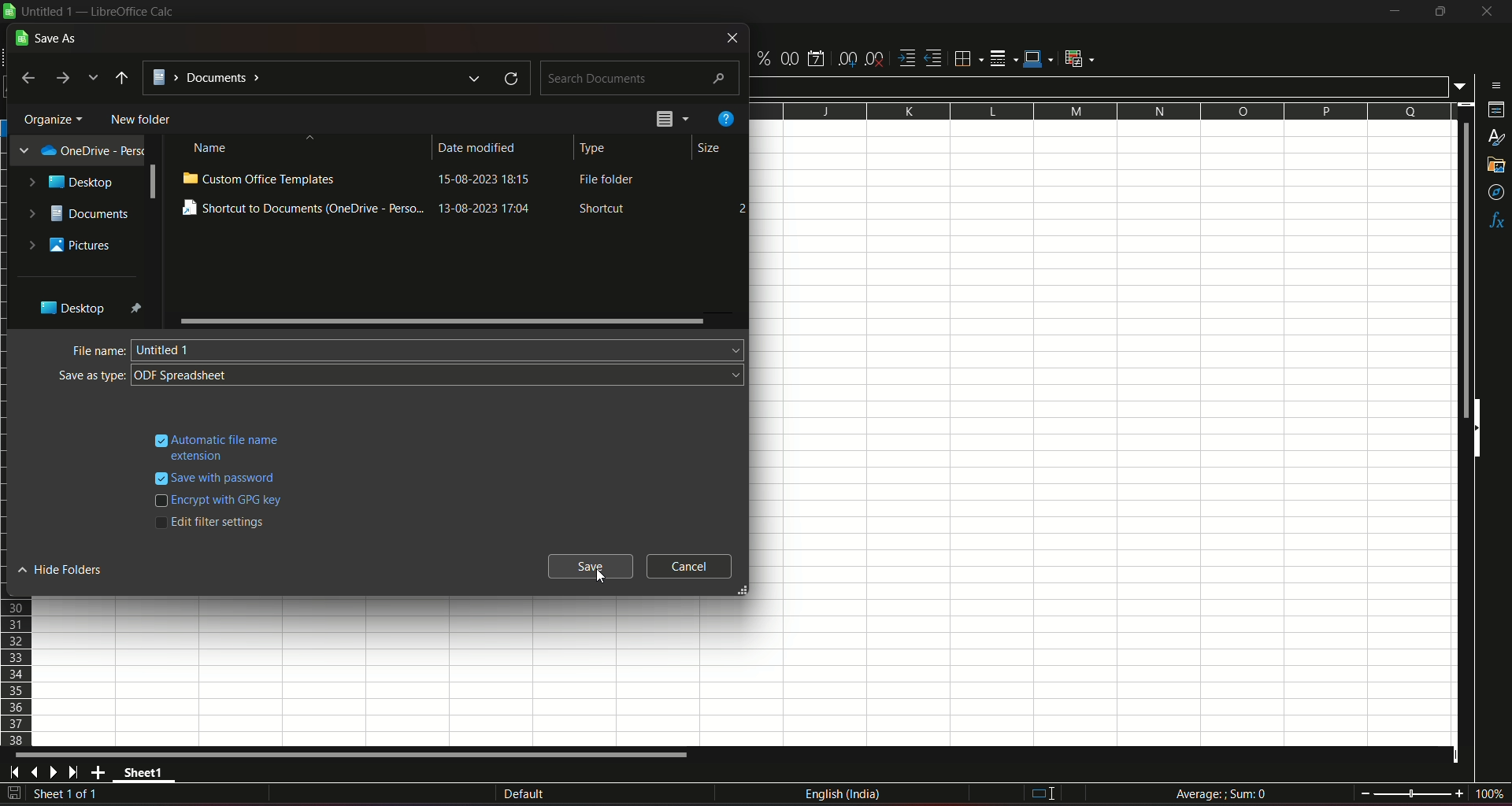 This screenshot has width=1512, height=806. Describe the element at coordinates (65, 571) in the screenshot. I see `hide folders` at that location.